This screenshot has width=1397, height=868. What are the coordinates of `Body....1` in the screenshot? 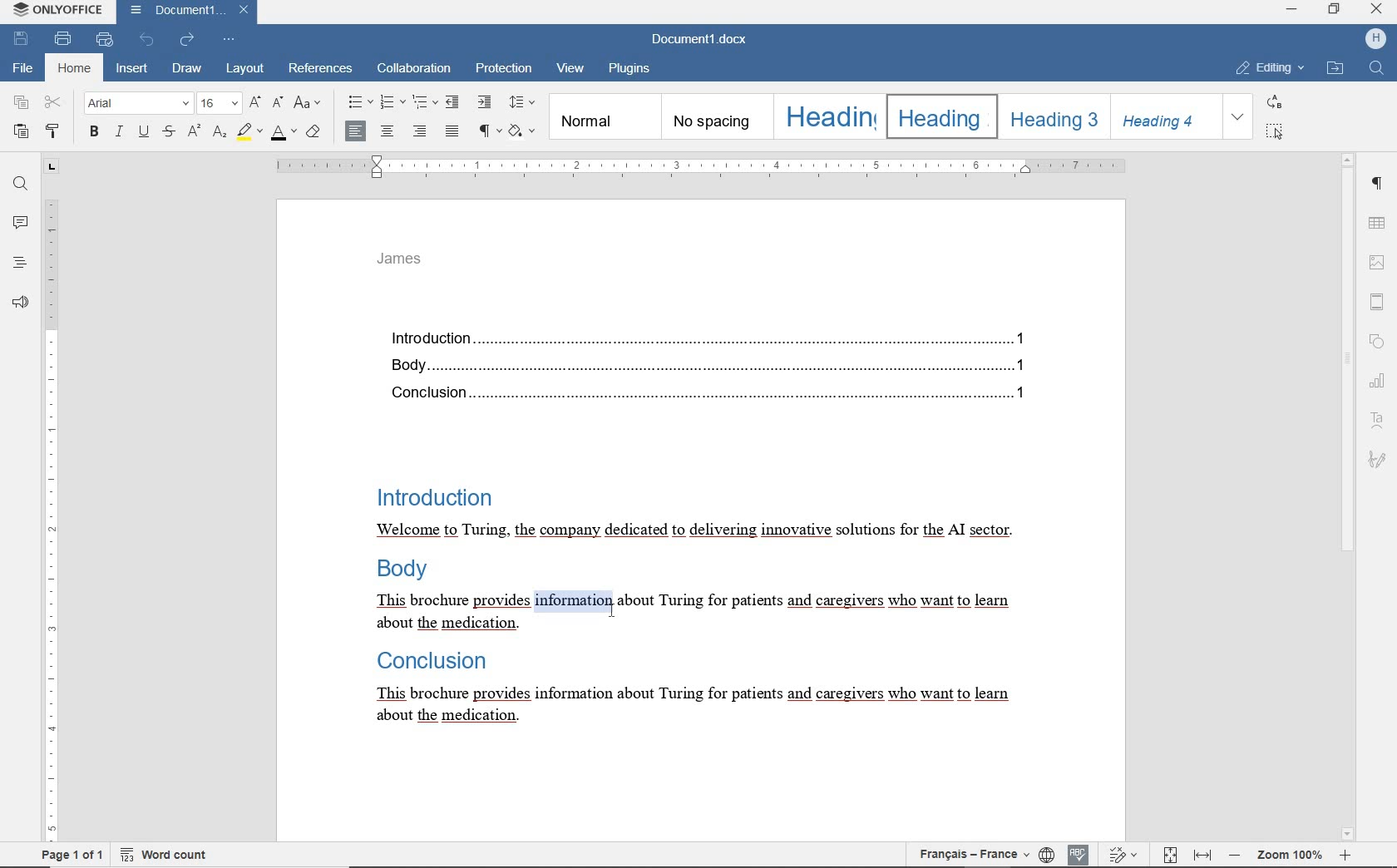 It's located at (700, 365).